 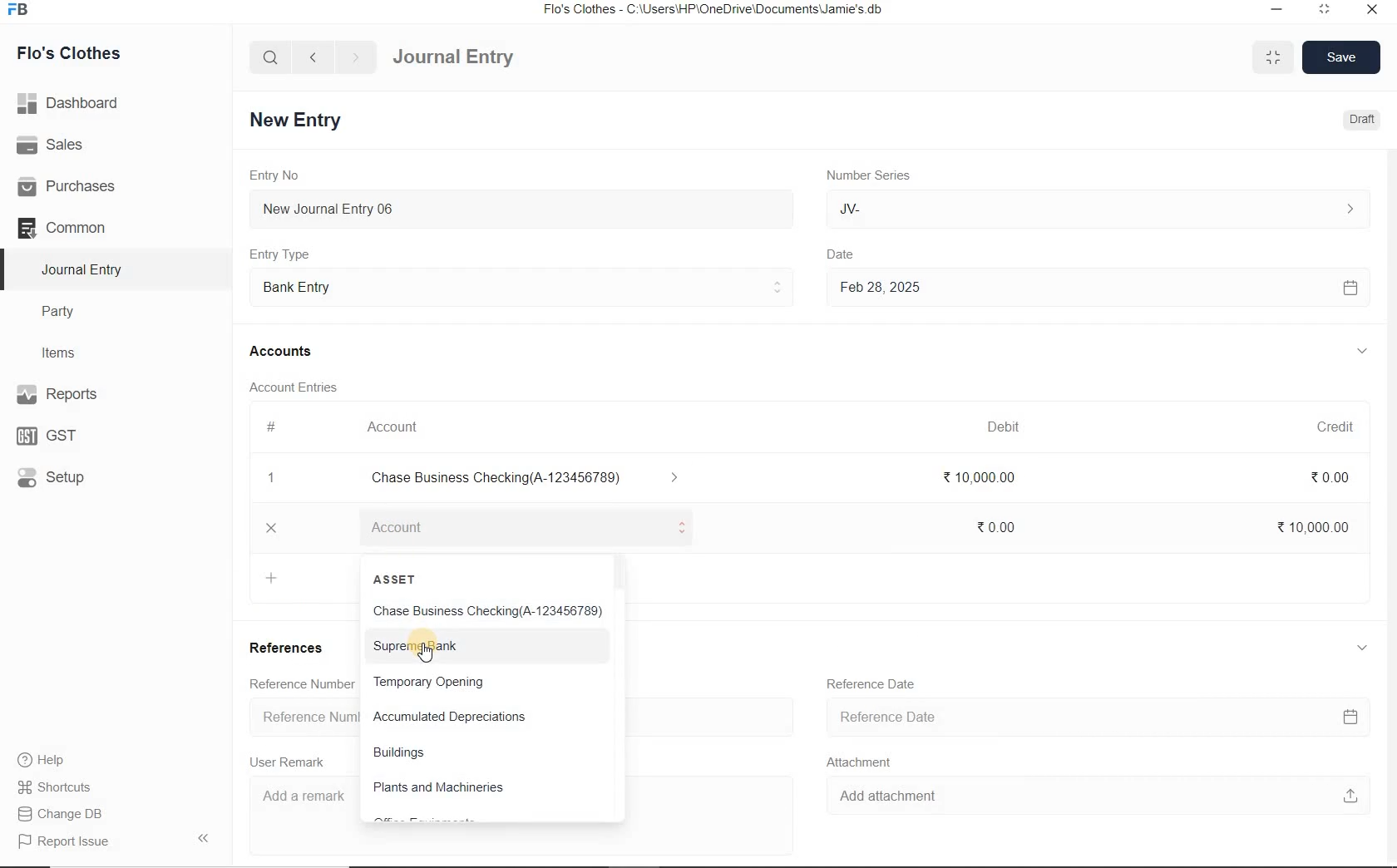 I want to click on Reference Number, so click(x=297, y=684).